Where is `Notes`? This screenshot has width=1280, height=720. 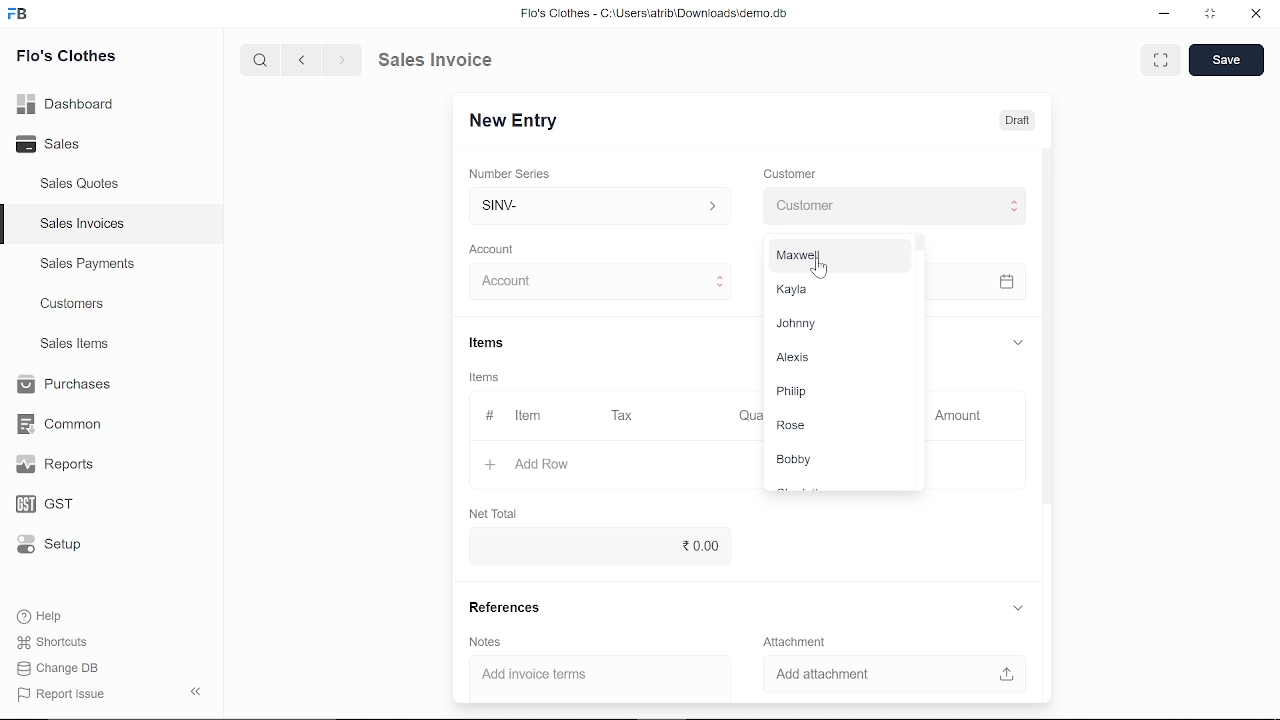
Notes is located at coordinates (483, 642).